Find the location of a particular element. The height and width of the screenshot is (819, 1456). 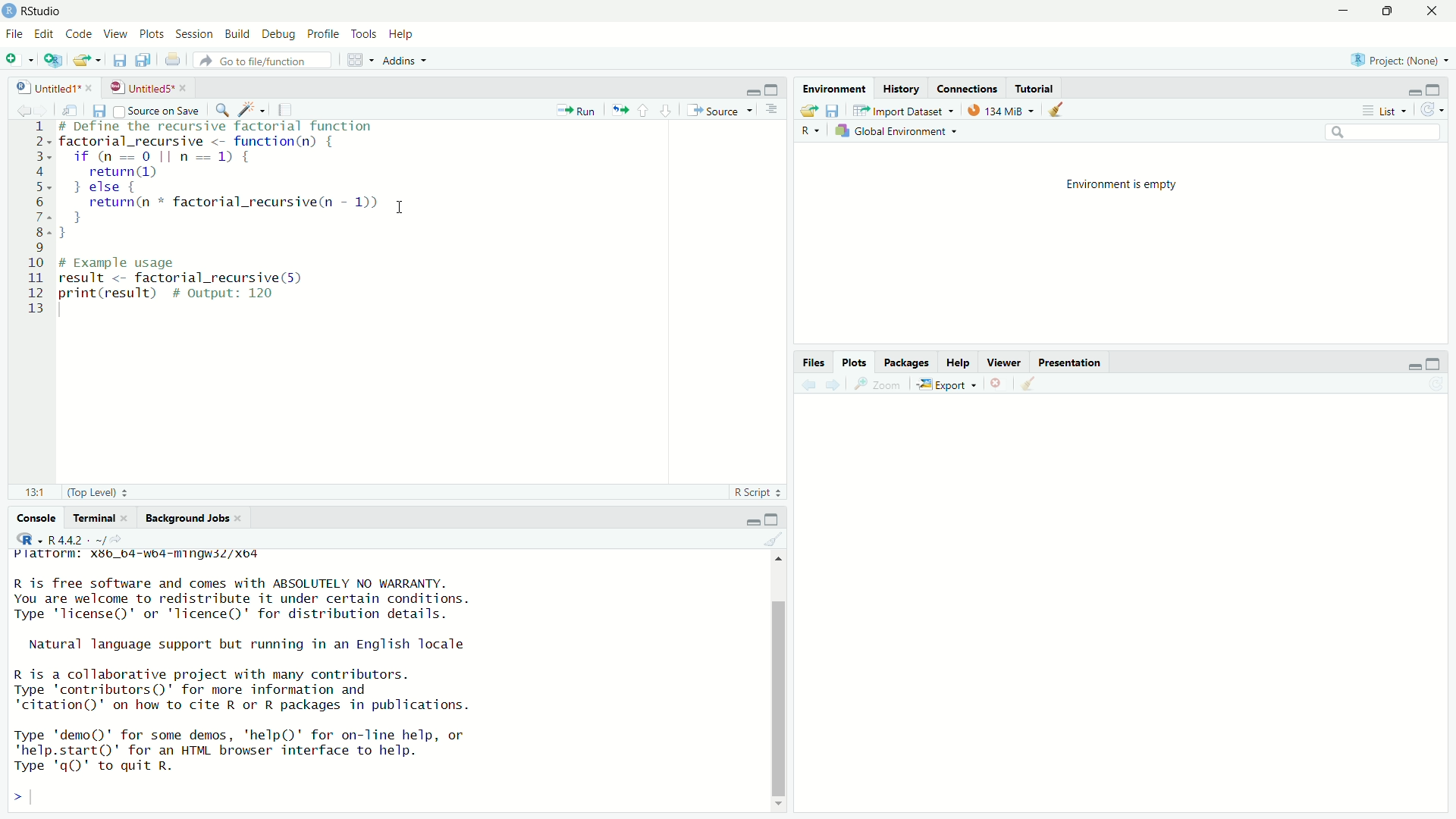

Sourceon Save is located at coordinates (158, 110).